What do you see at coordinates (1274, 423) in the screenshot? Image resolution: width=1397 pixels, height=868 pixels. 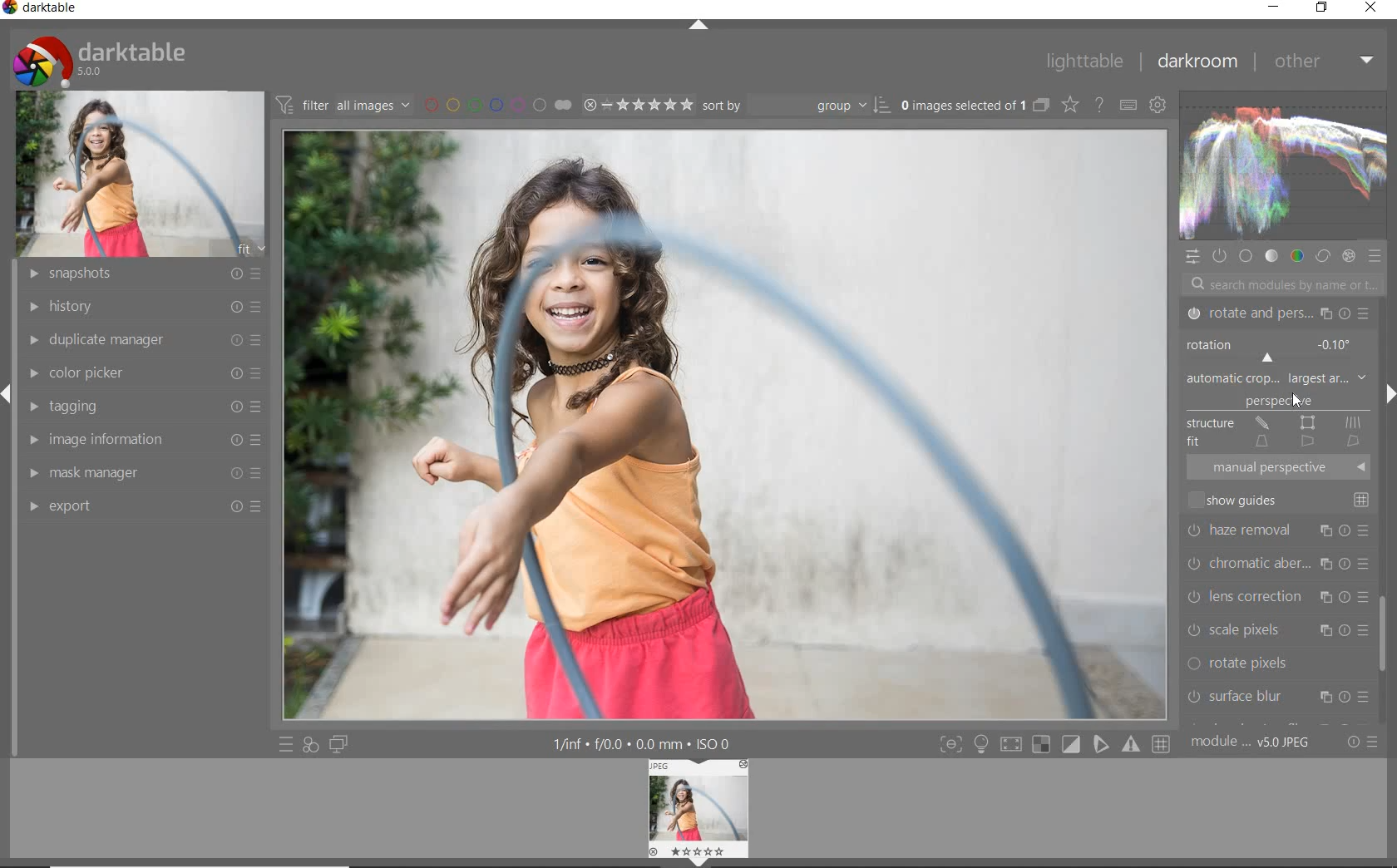 I see `STRUCTURE` at bounding box center [1274, 423].